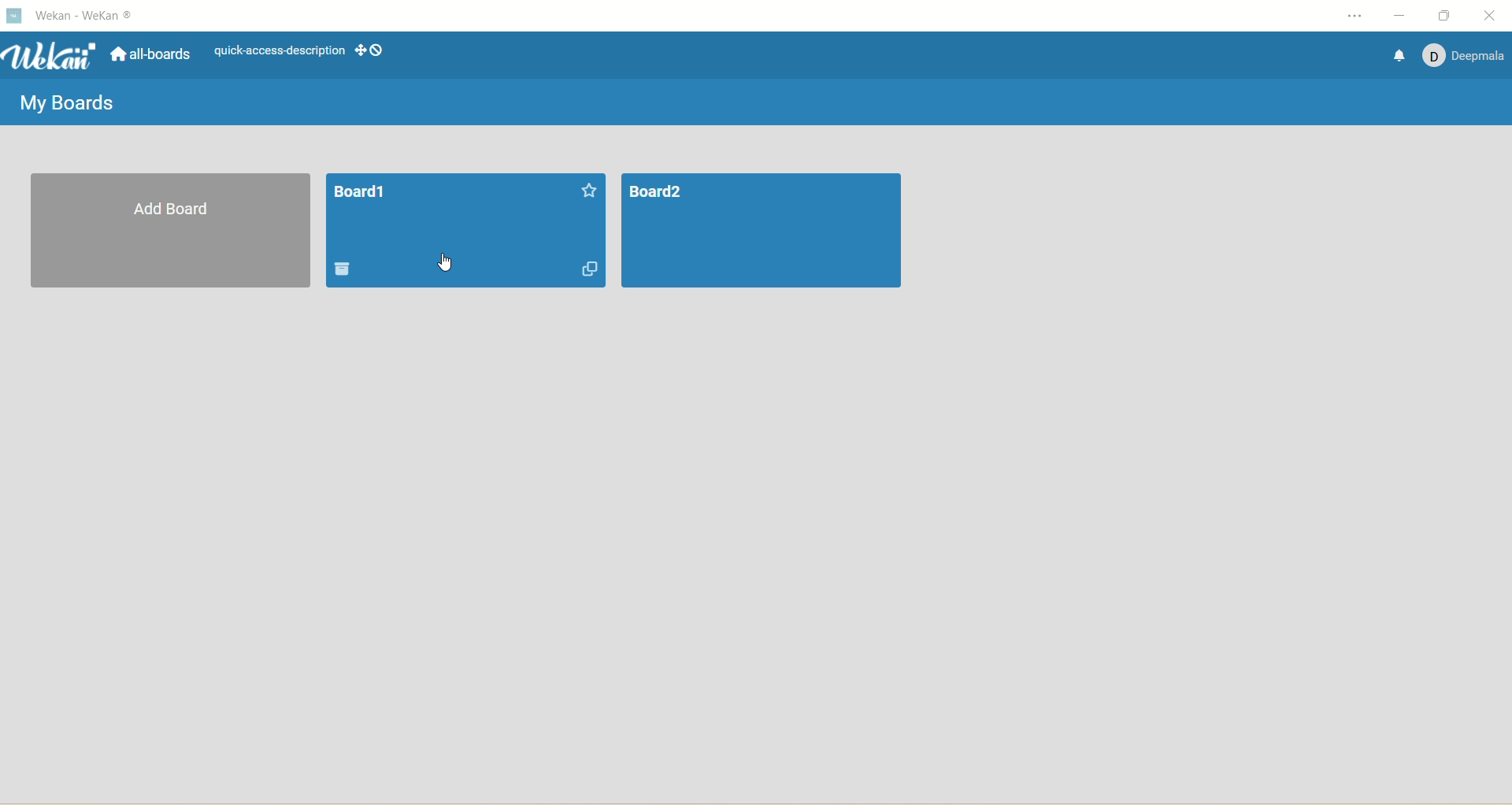 Image resolution: width=1512 pixels, height=805 pixels. Describe the element at coordinates (276, 49) in the screenshot. I see `text` at that location.